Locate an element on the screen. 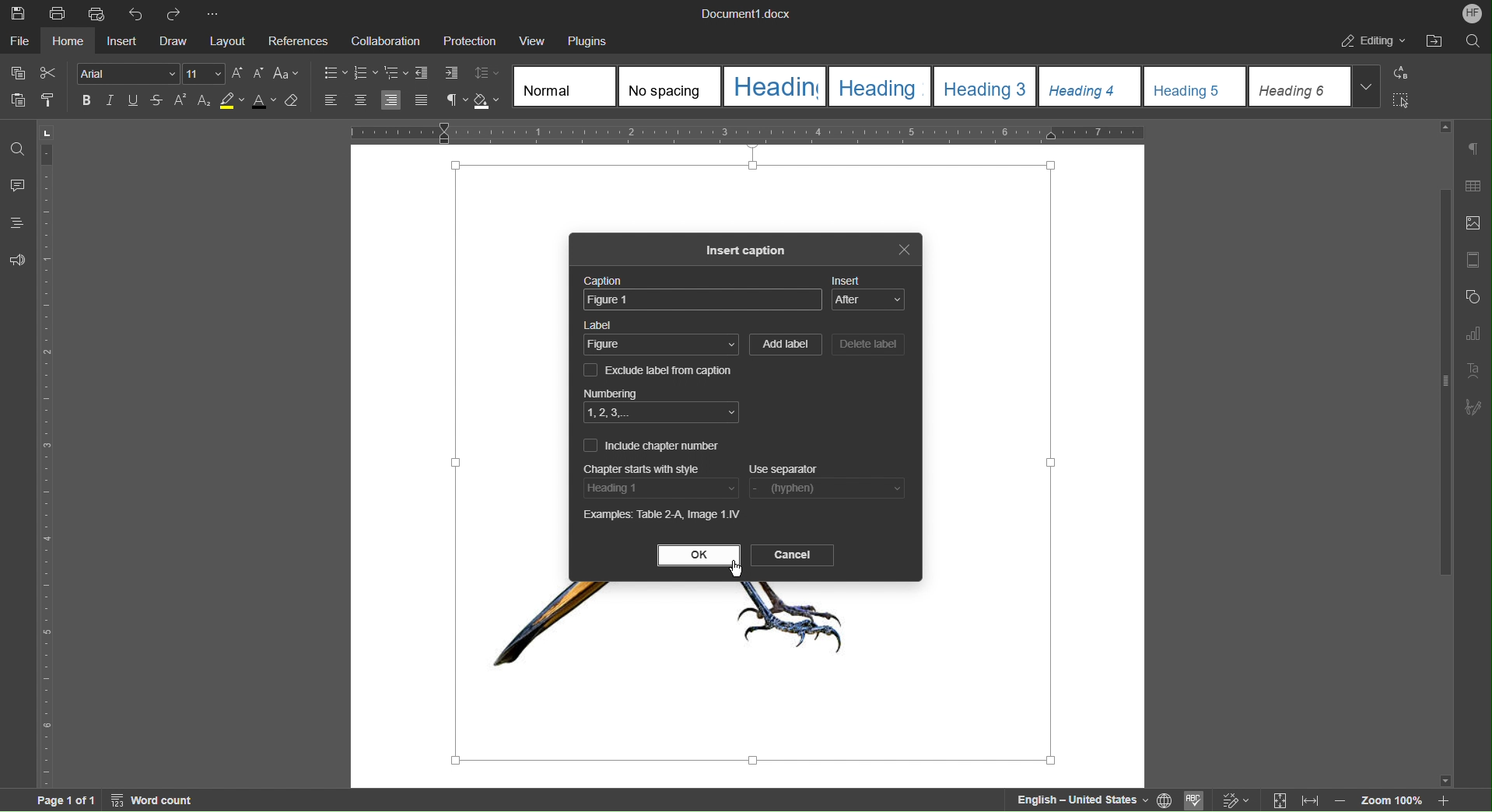 The width and height of the screenshot is (1492, 812). Nested List is located at coordinates (398, 73).